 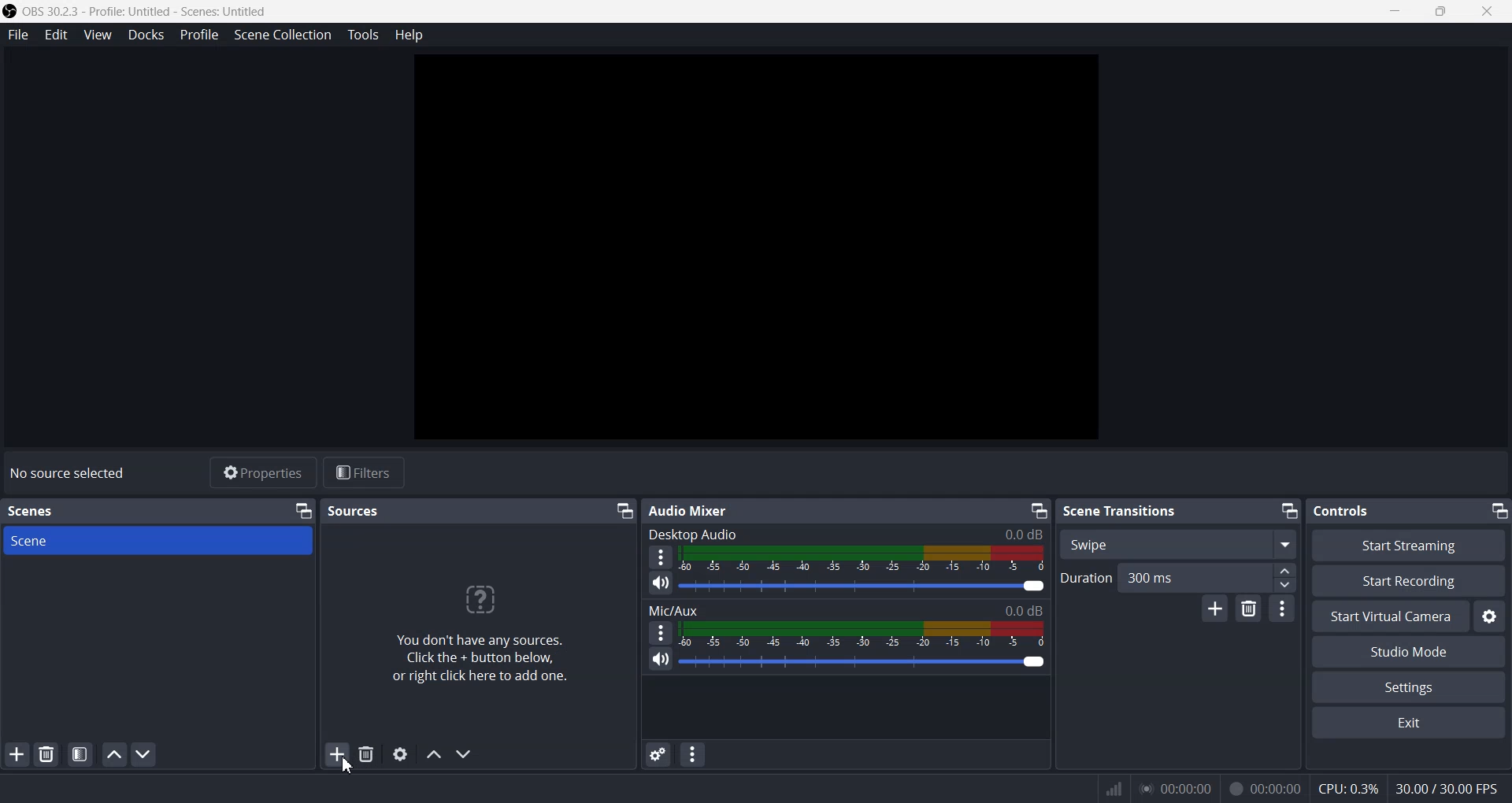 What do you see at coordinates (98, 35) in the screenshot?
I see `View` at bounding box center [98, 35].